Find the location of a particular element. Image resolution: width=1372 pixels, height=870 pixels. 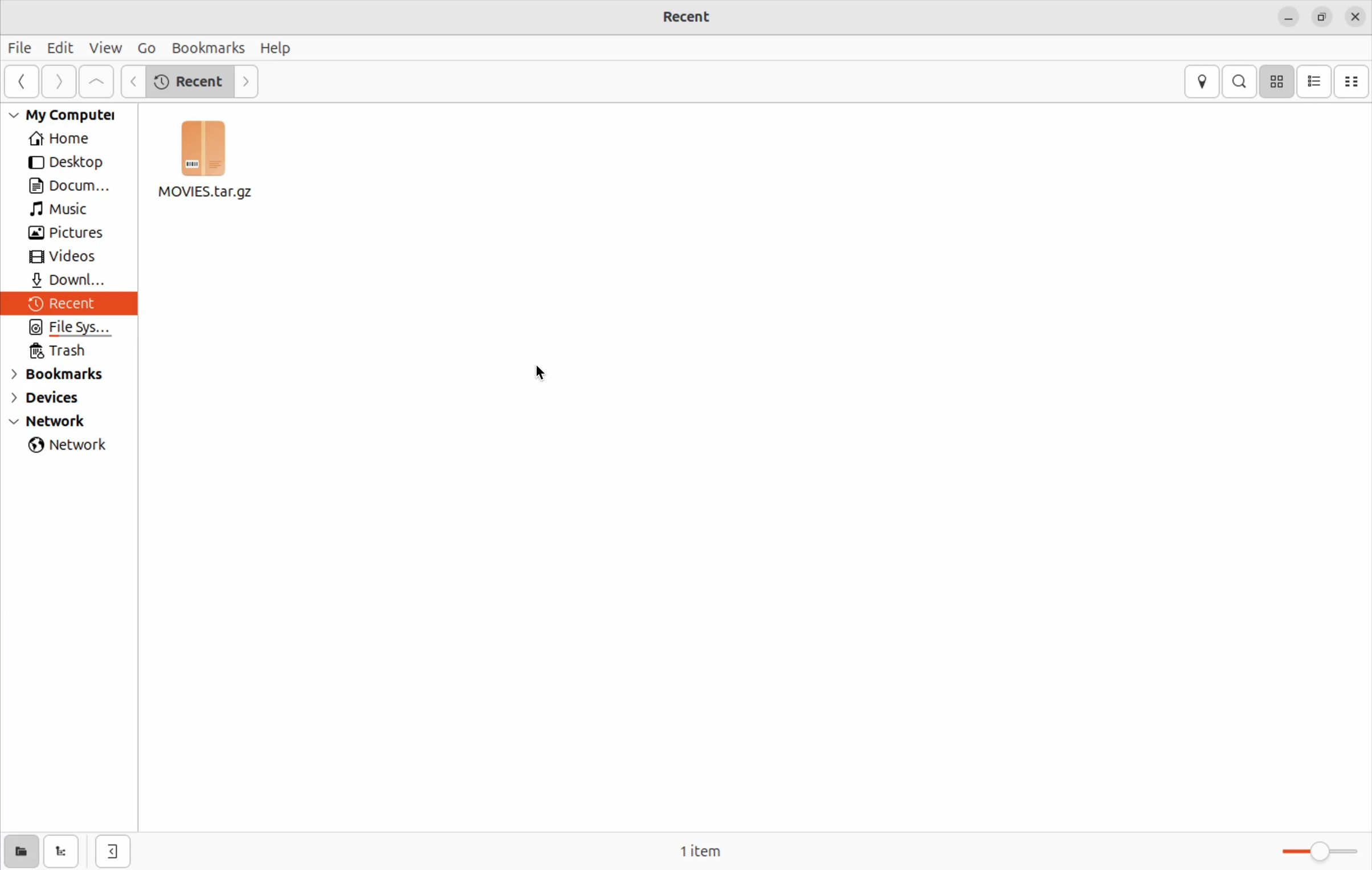

Recent is located at coordinates (701, 17).